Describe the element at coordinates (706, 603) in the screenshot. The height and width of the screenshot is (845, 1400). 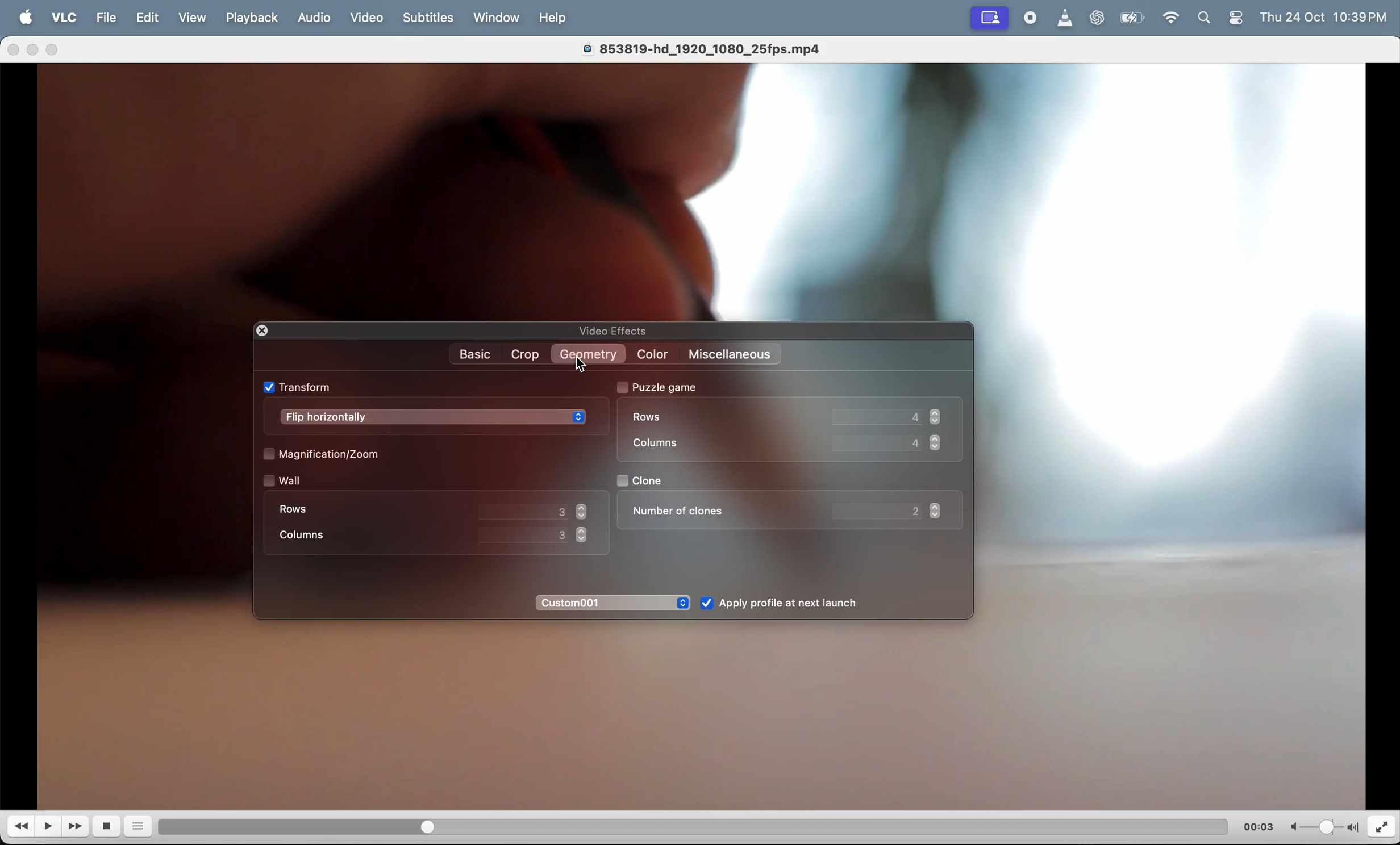
I see `check box` at that location.